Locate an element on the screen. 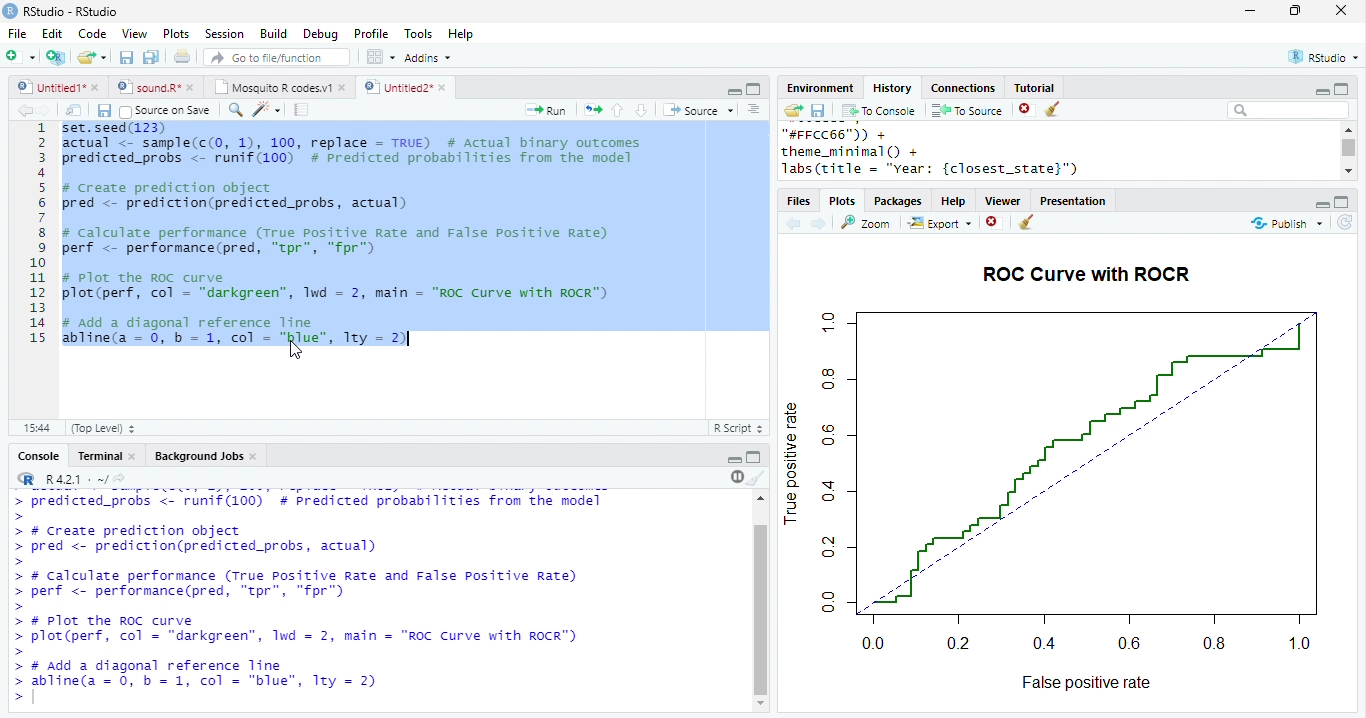  backward is located at coordinates (24, 110).